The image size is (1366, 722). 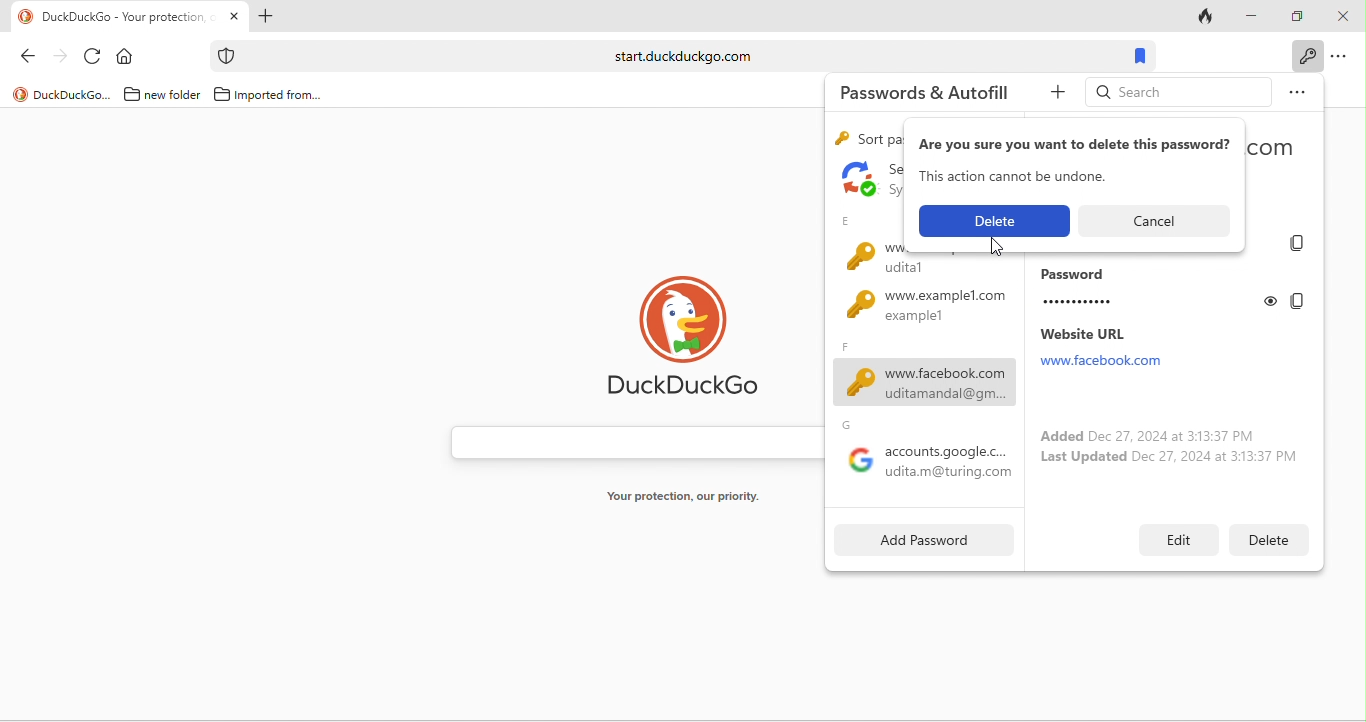 I want to click on forward, so click(x=62, y=60).